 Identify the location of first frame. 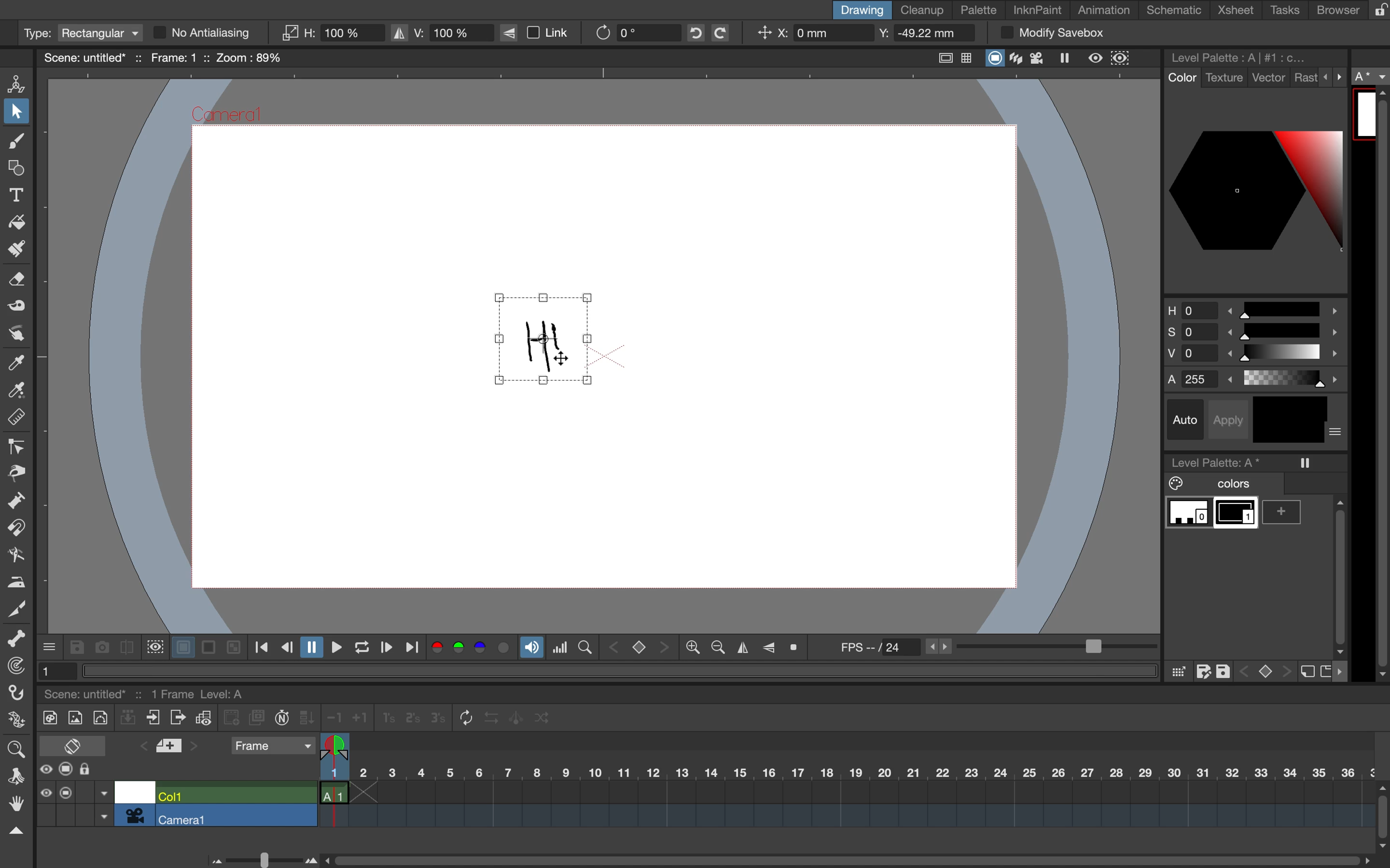
(262, 648).